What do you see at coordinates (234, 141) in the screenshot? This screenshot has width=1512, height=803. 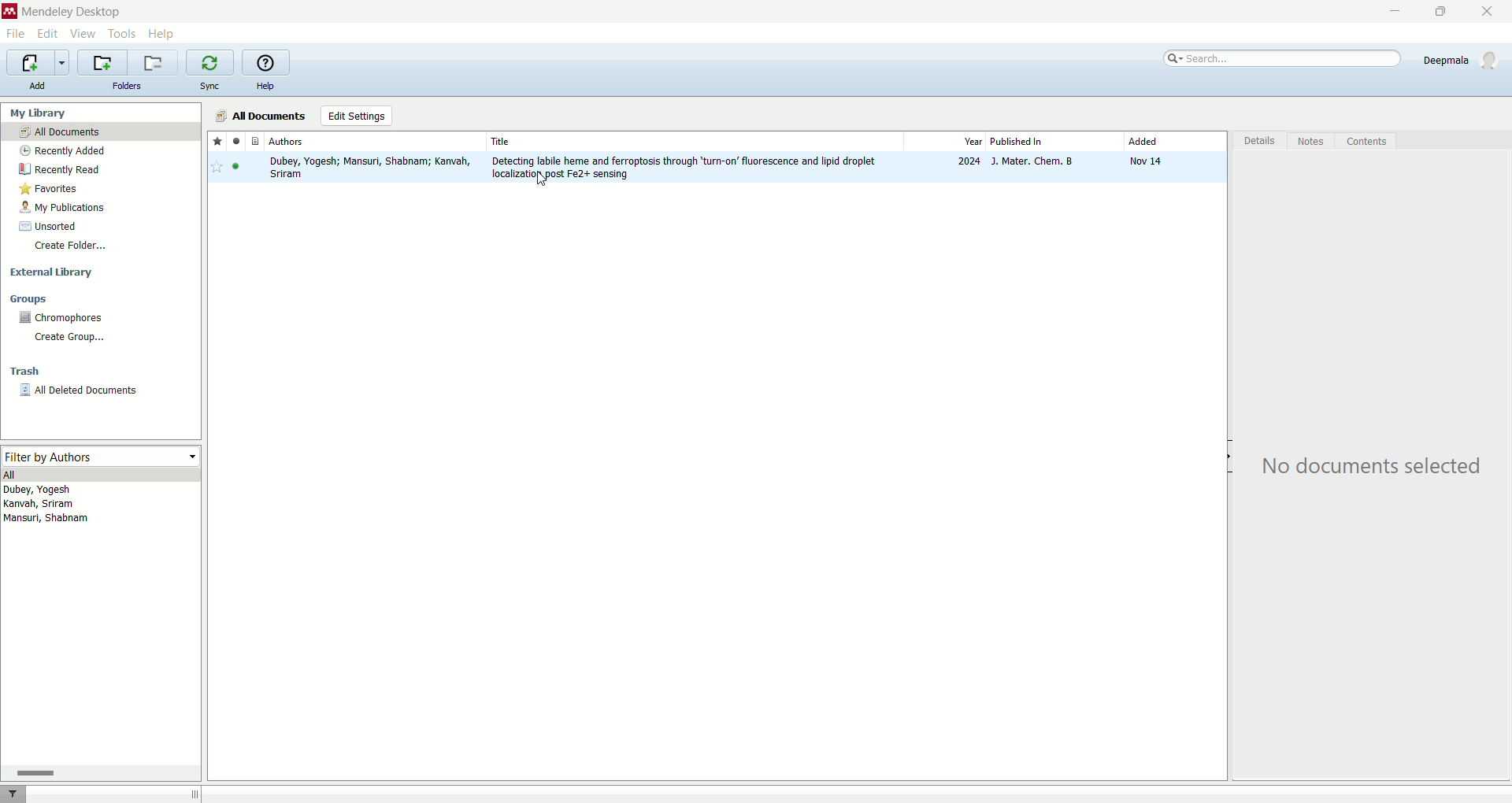 I see `read/unread` at bounding box center [234, 141].